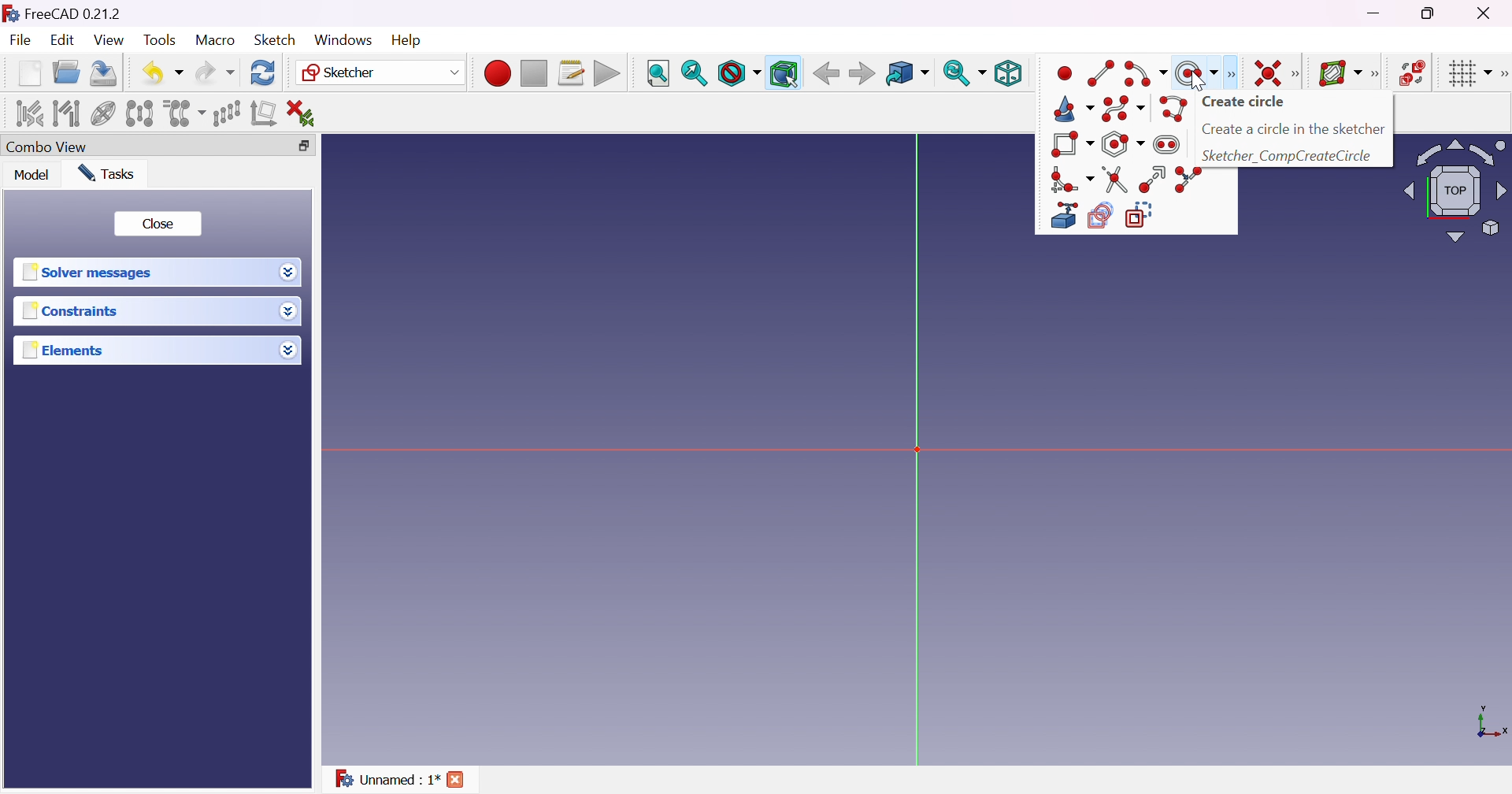  What do you see at coordinates (693, 74) in the screenshot?
I see `Fit selection` at bounding box center [693, 74].